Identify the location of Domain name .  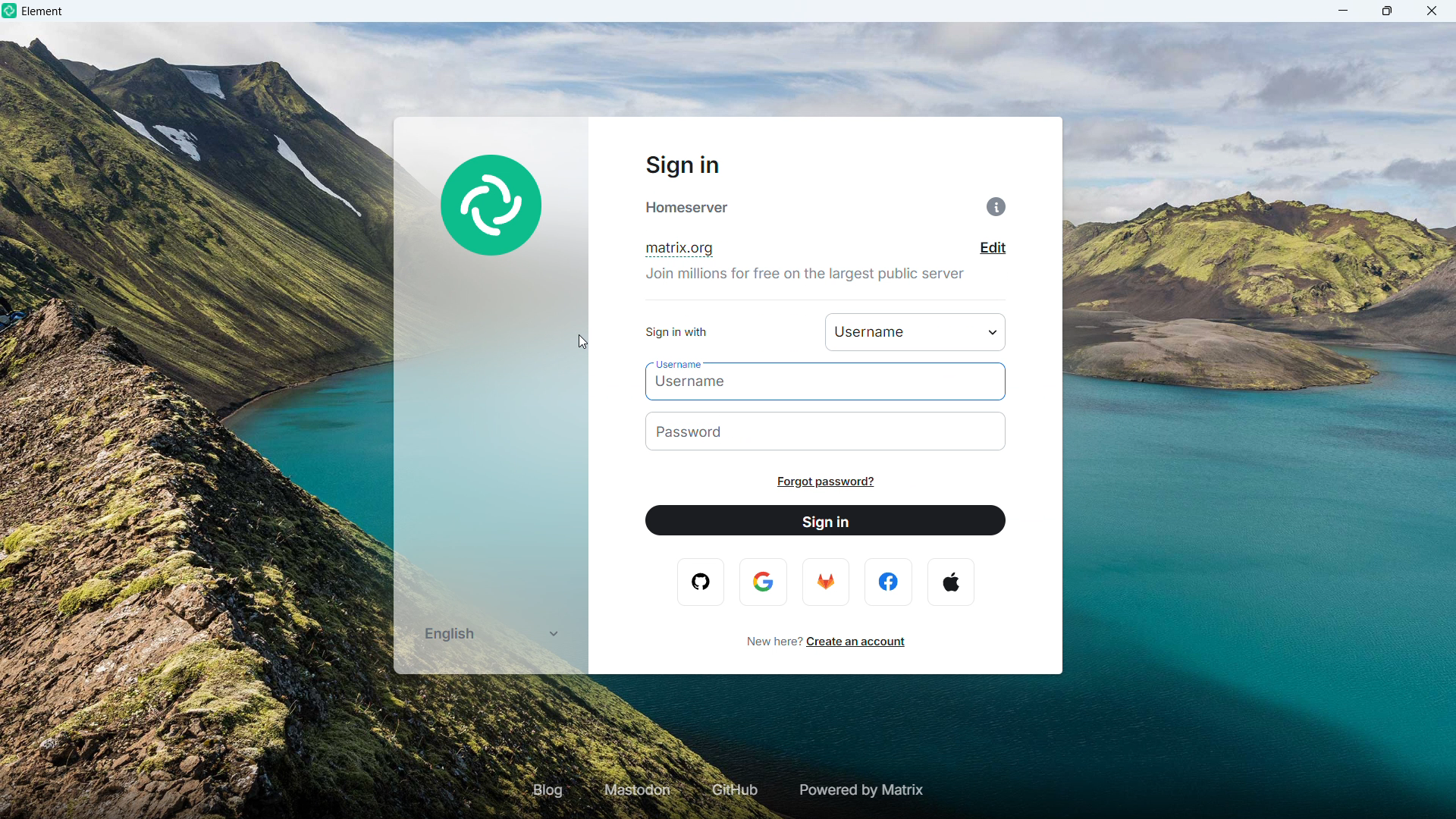
(678, 250).